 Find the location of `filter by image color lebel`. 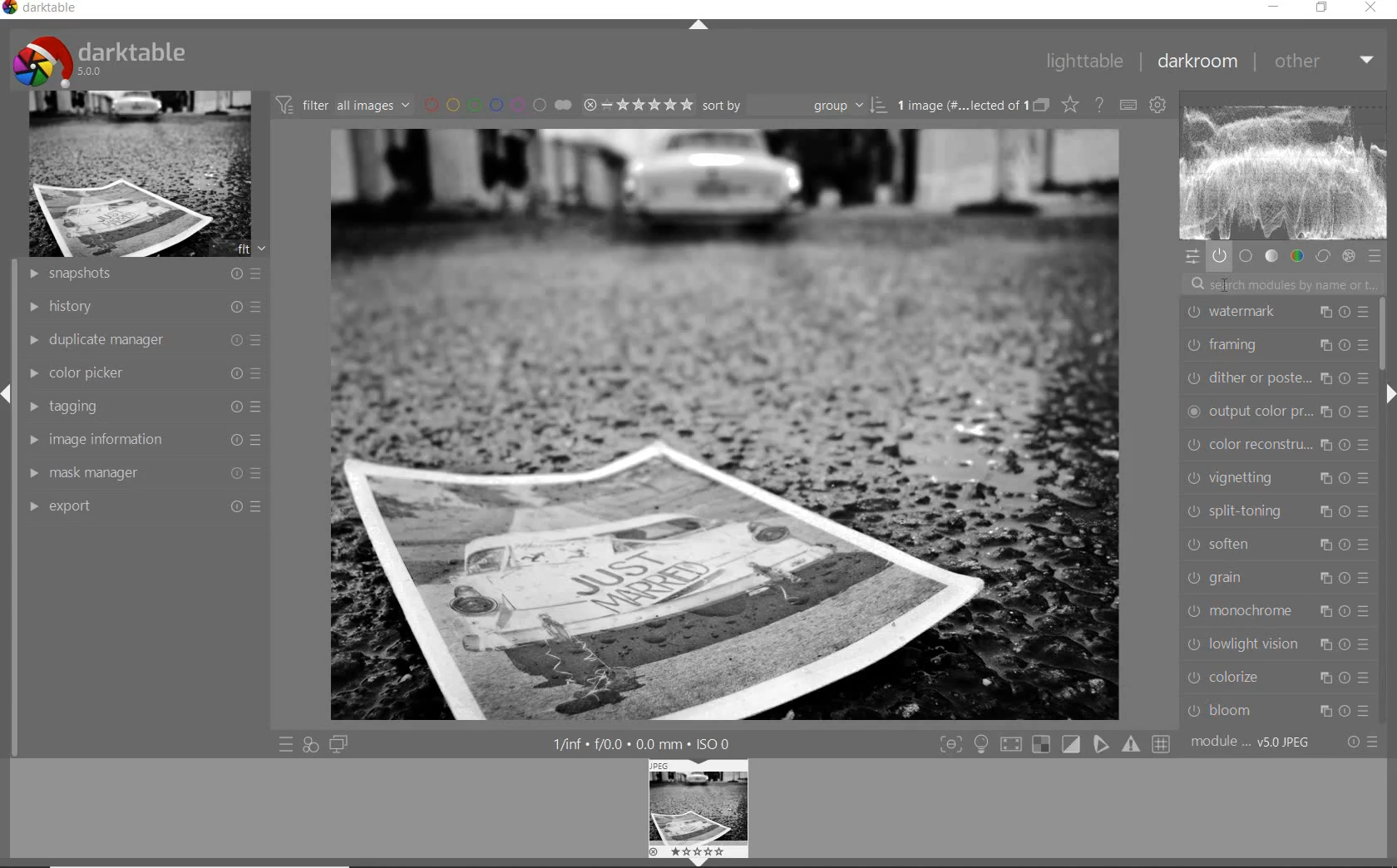

filter by image color lebel is located at coordinates (496, 103).